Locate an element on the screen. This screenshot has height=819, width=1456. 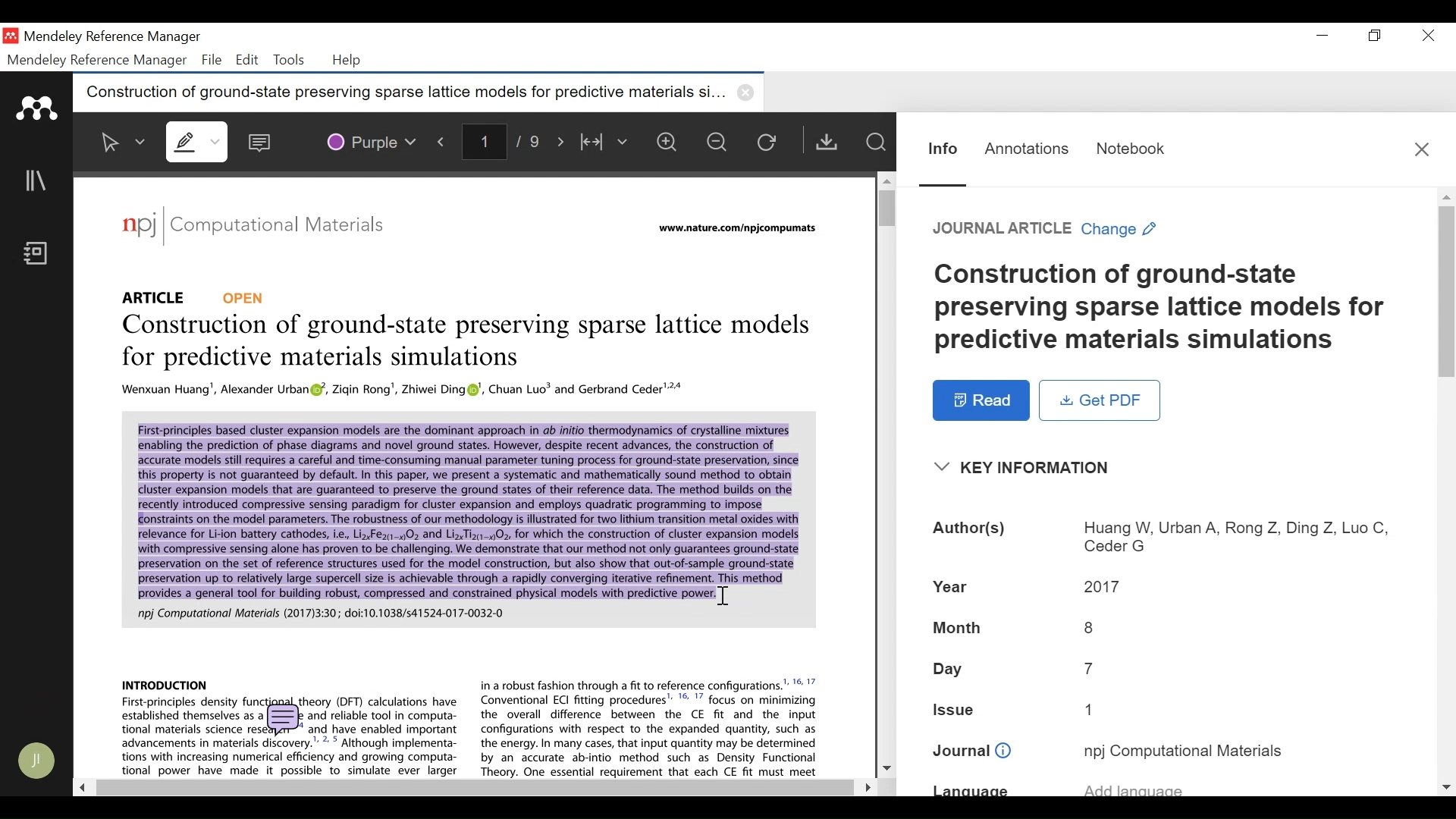
URL is located at coordinates (740, 229).